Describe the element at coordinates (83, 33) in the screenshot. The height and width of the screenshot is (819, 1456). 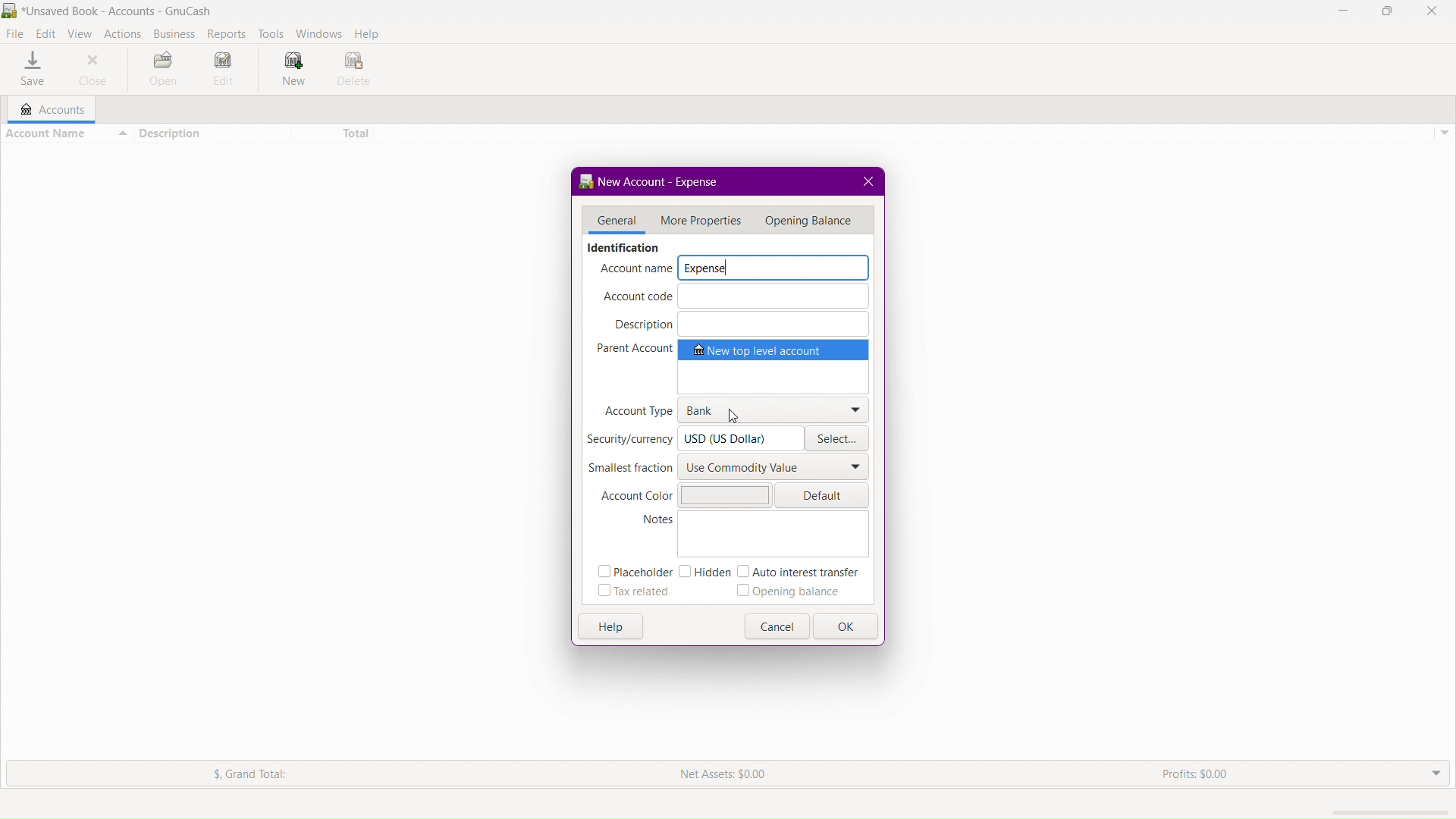
I see `View` at that location.